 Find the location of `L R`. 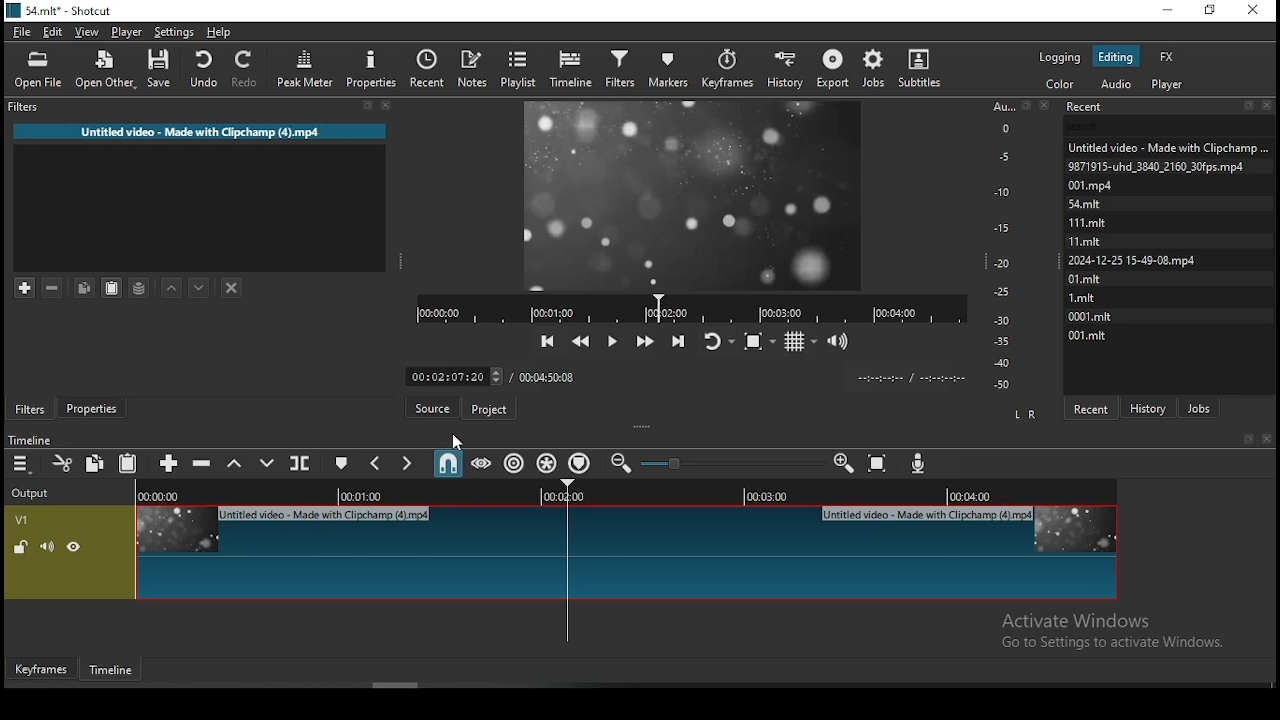

L R is located at coordinates (1024, 414).